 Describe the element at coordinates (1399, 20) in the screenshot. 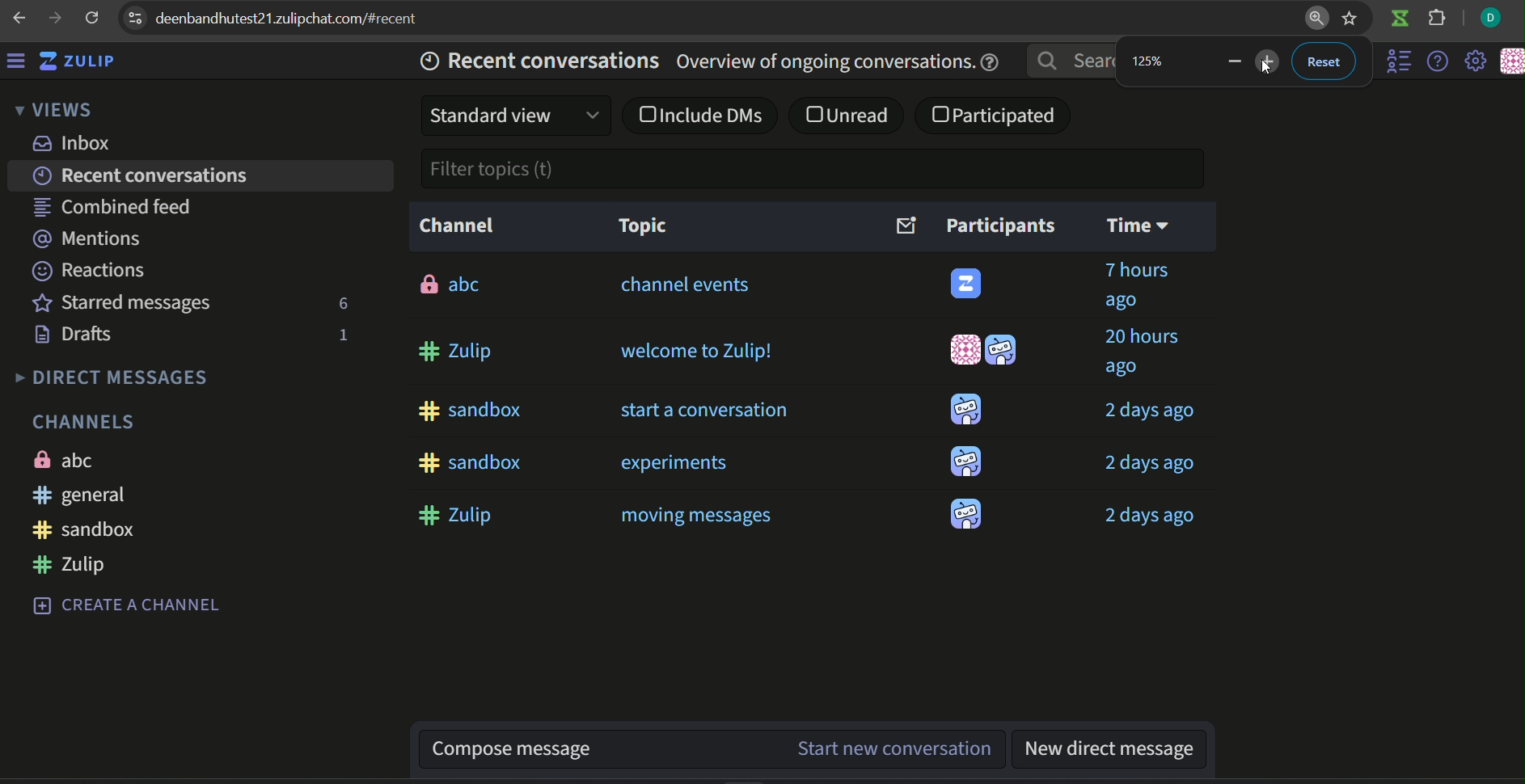

I see `icon` at that location.